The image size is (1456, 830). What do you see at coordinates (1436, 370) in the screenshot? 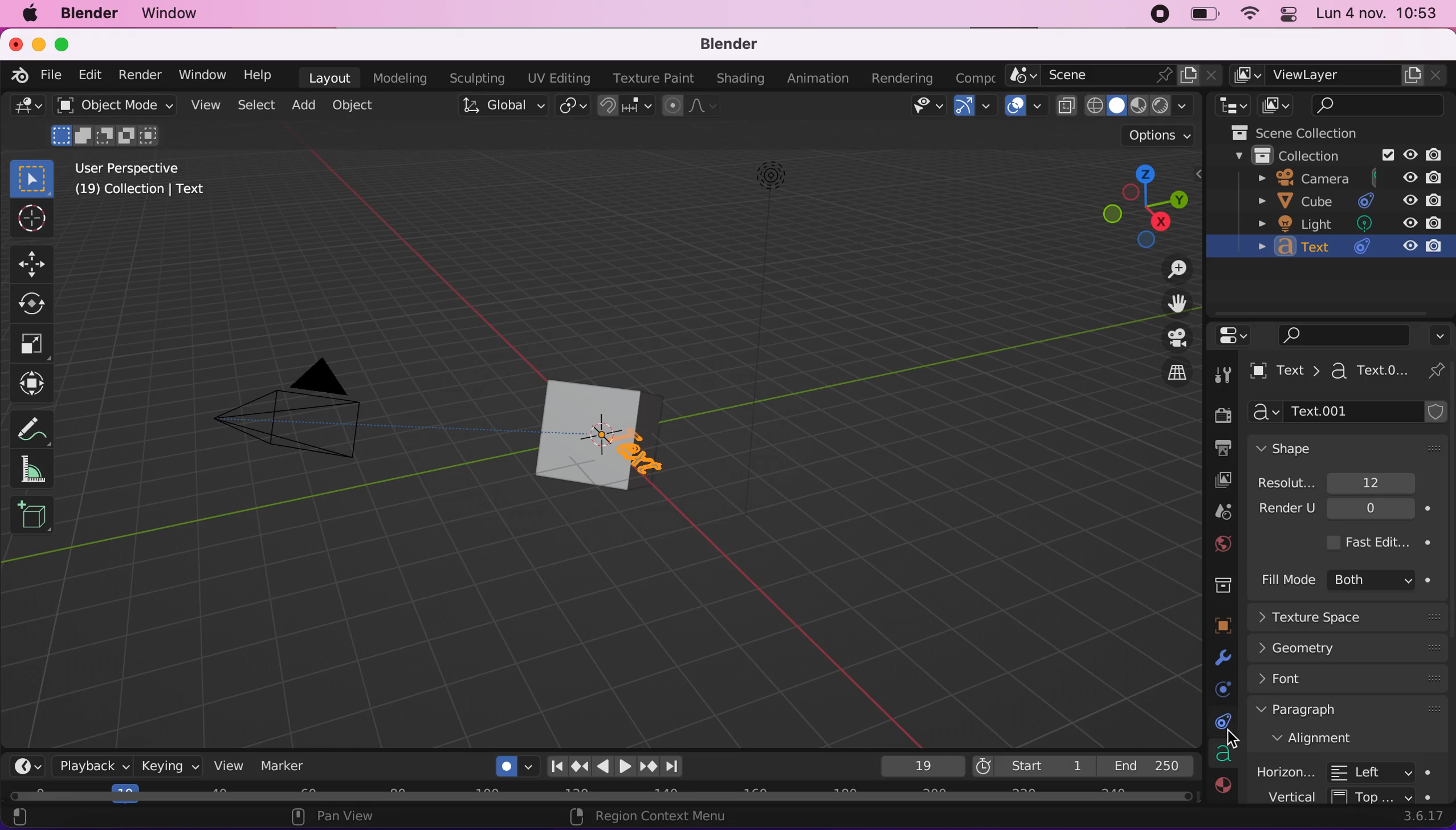
I see `pin` at bounding box center [1436, 370].